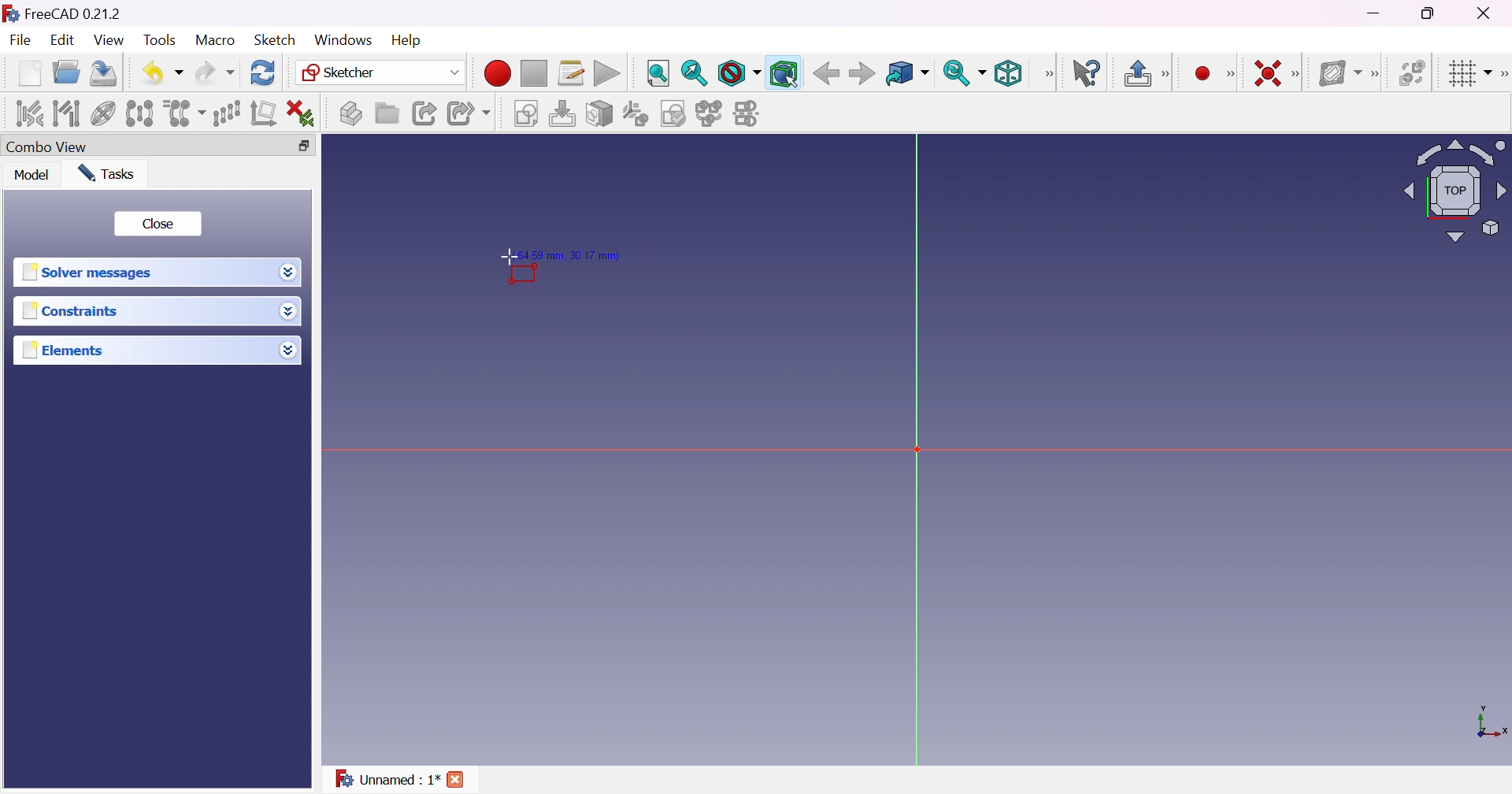  What do you see at coordinates (1084, 74) in the screenshot?
I see `What's this?` at bounding box center [1084, 74].